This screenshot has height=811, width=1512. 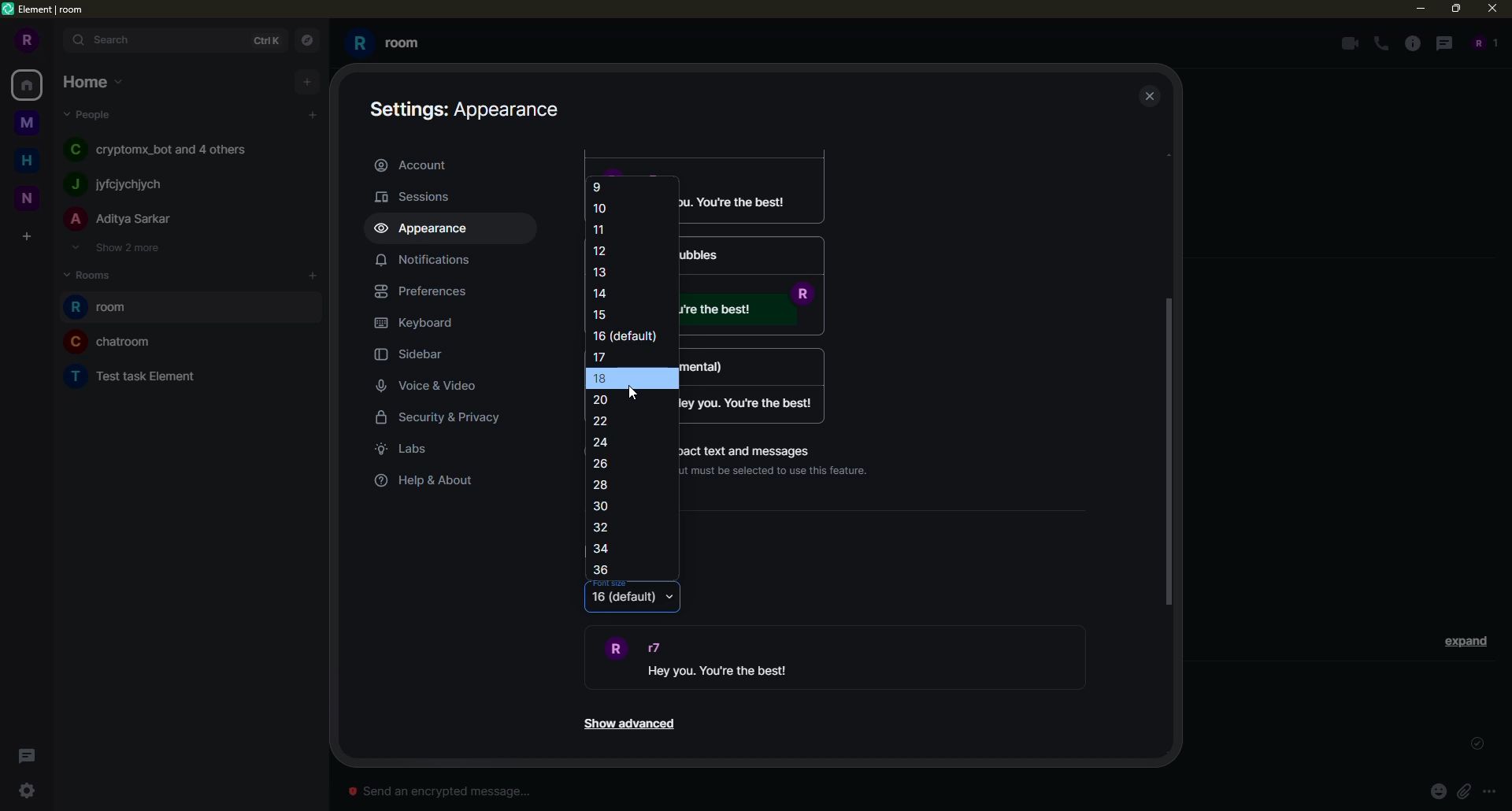 I want to click on profile, so click(x=24, y=40).